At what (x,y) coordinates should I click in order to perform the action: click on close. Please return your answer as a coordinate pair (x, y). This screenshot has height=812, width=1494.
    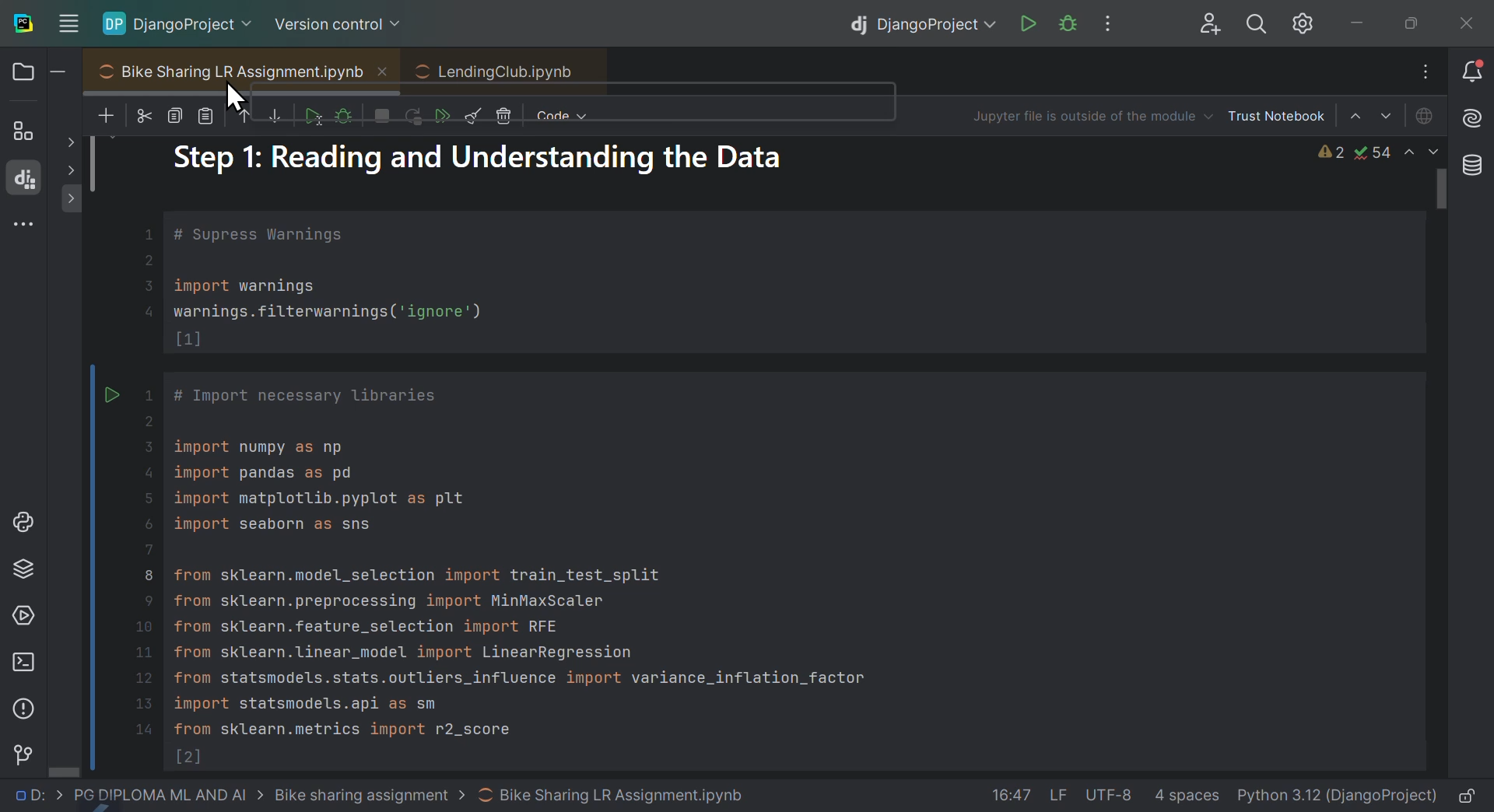
    Looking at the image, I should click on (1466, 23).